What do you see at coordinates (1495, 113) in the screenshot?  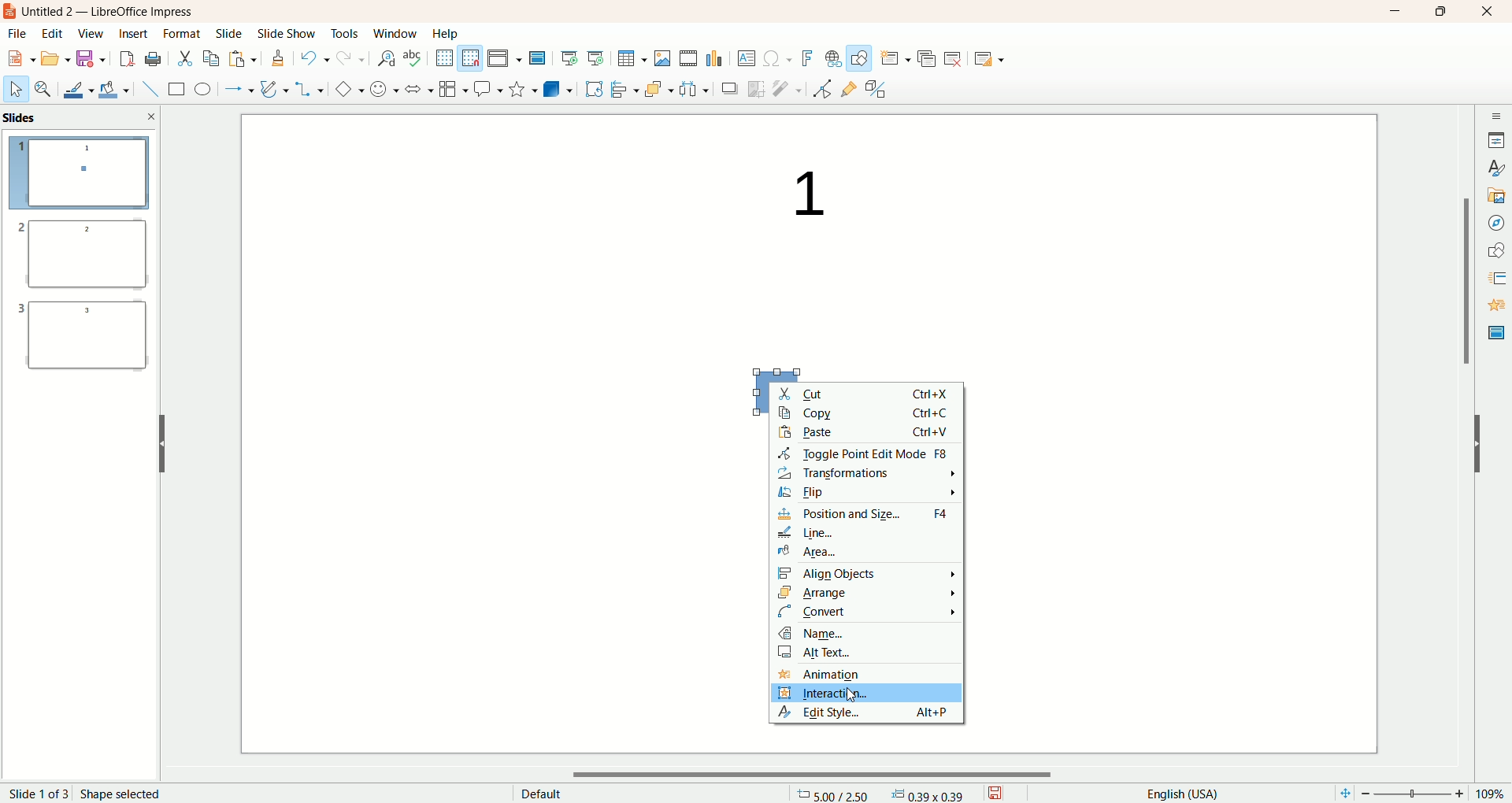 I see `sidebar settings` at bounding box center [1495, 113].